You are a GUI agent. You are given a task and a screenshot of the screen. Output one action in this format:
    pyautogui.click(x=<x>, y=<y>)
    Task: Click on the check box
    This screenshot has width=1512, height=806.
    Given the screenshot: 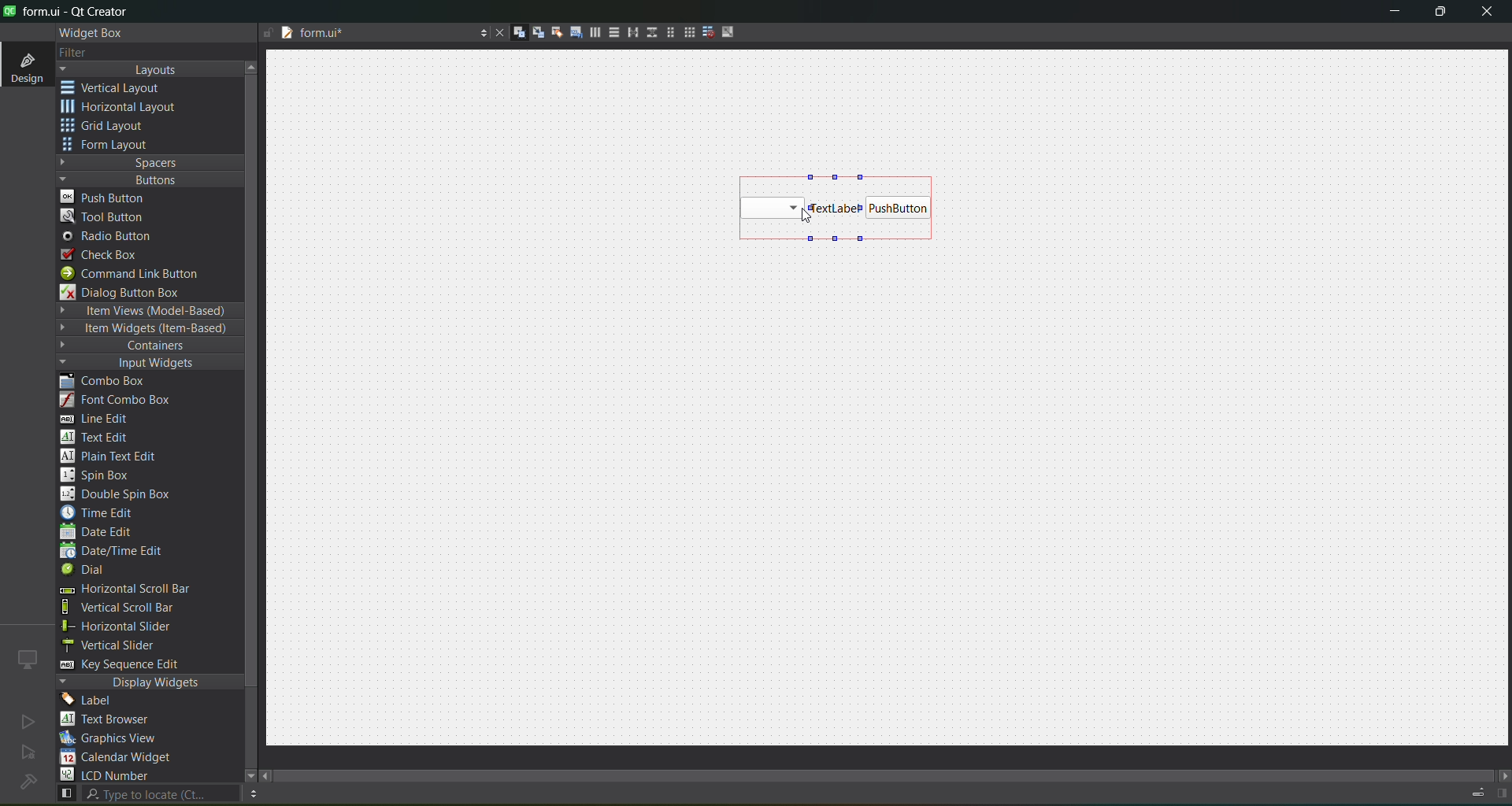 What is the action you would take?
    pyautogui.click(x=107, y=255)
    